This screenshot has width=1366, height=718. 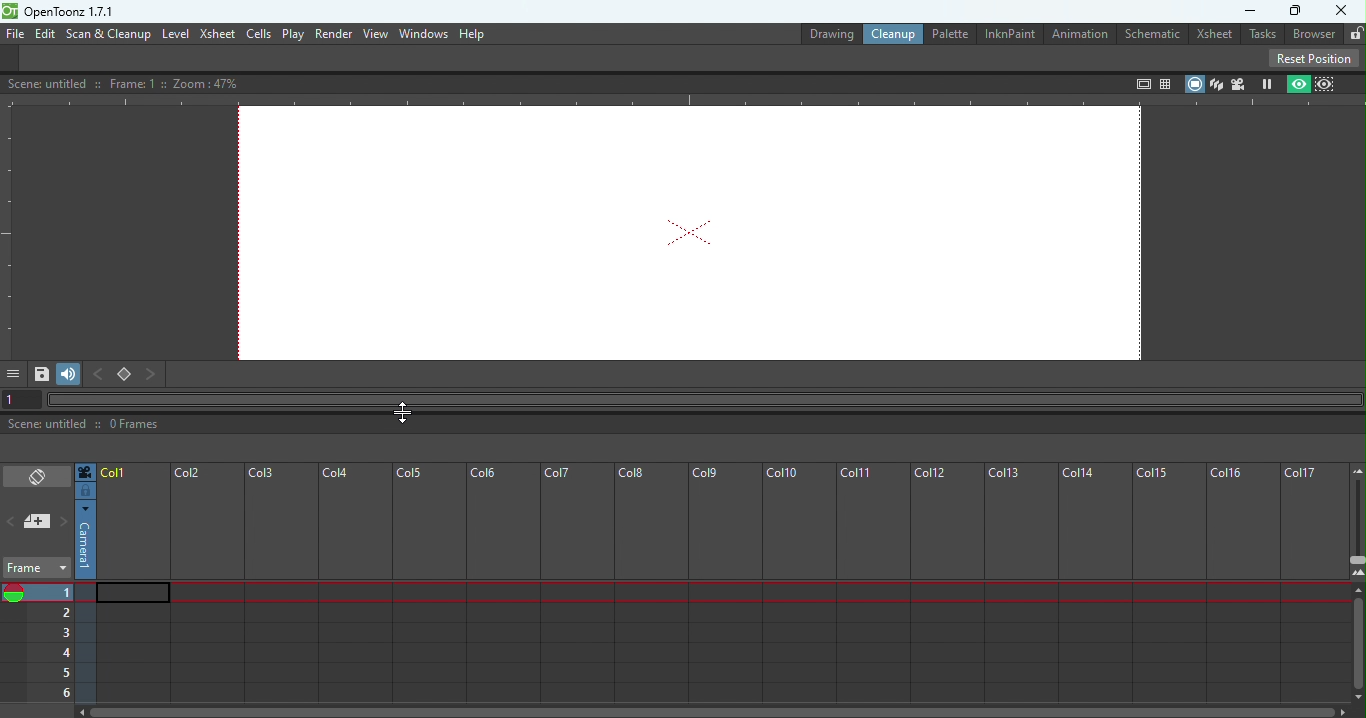 I want to click on Canvas, so click(x=692, y=235).